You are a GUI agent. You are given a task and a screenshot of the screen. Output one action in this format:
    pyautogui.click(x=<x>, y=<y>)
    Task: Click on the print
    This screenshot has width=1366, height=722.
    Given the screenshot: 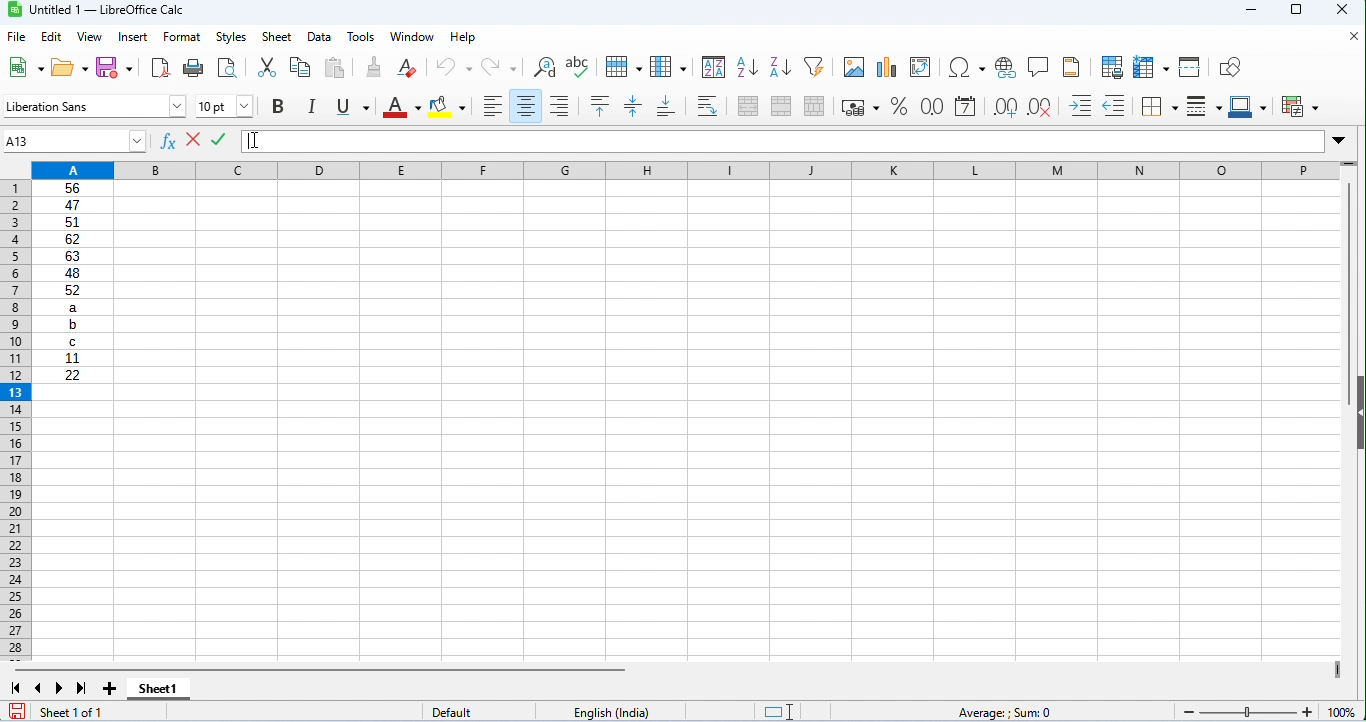 What is the action you would take?
    pyautogui.click(x=192, y=69)
    